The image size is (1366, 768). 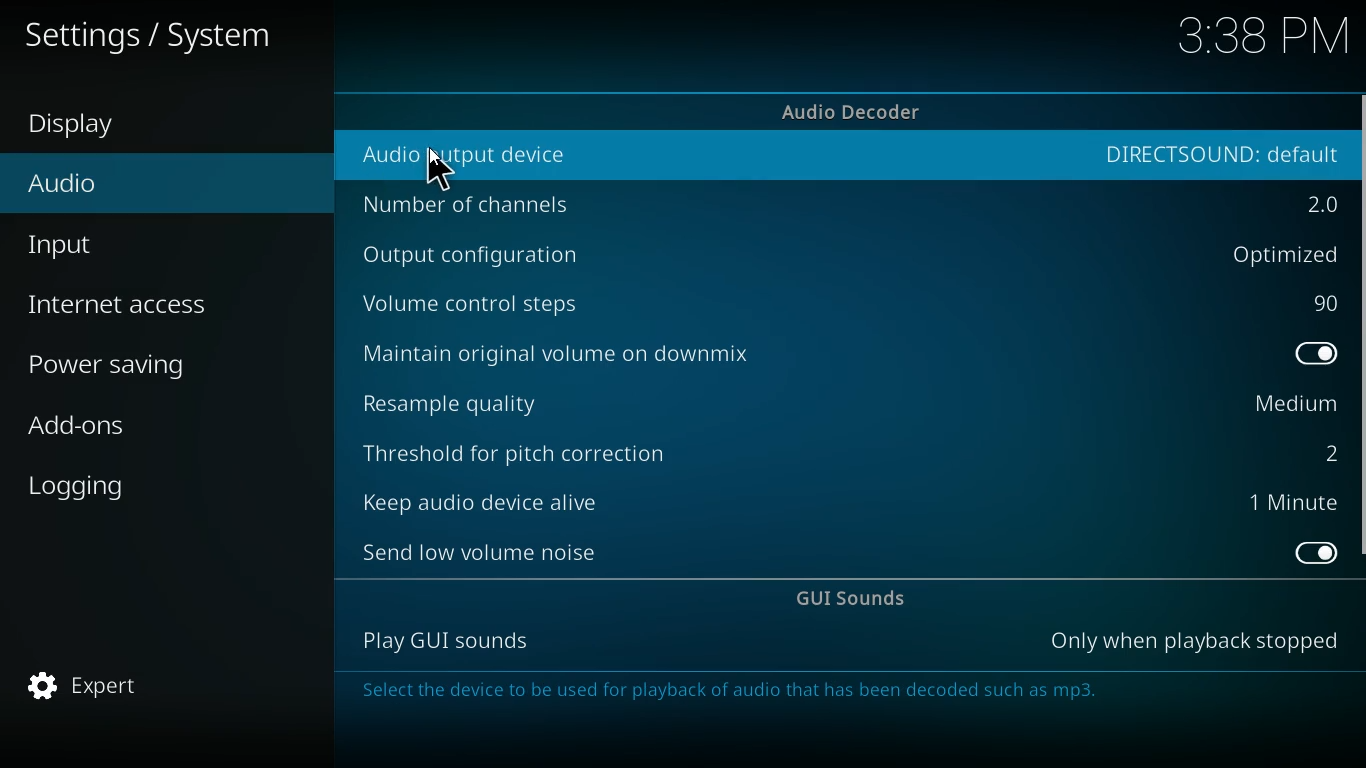 What do you see at coordinates (859, 600) in the screenshot?
I see `gui sounds` at bounding box center [859, 600].